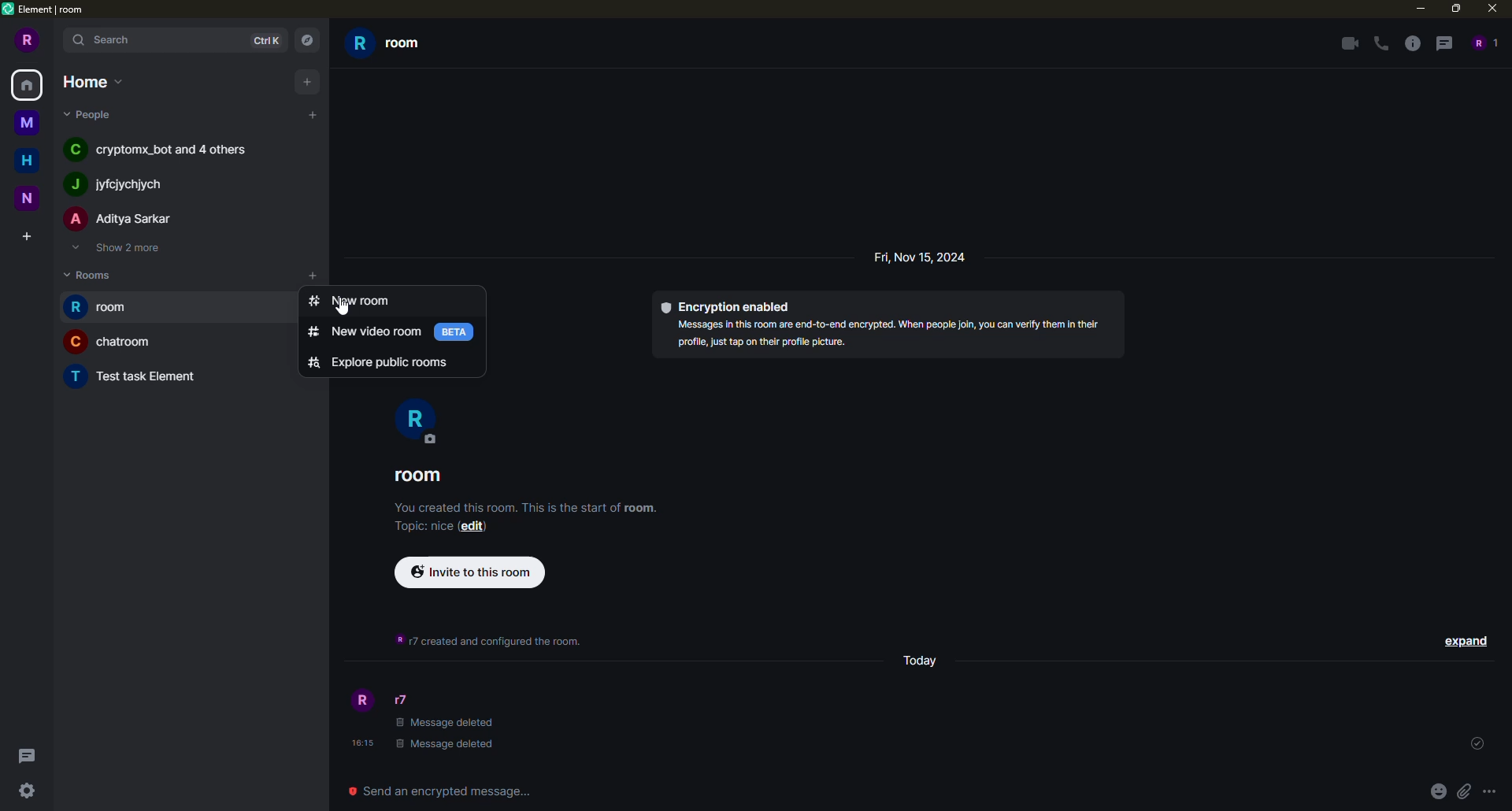 This screenshot has width=1512, height=811. What do you see at coordinates (1443, 43) in the screenshot?
I see `threads` at bounding box center [1443, 43].